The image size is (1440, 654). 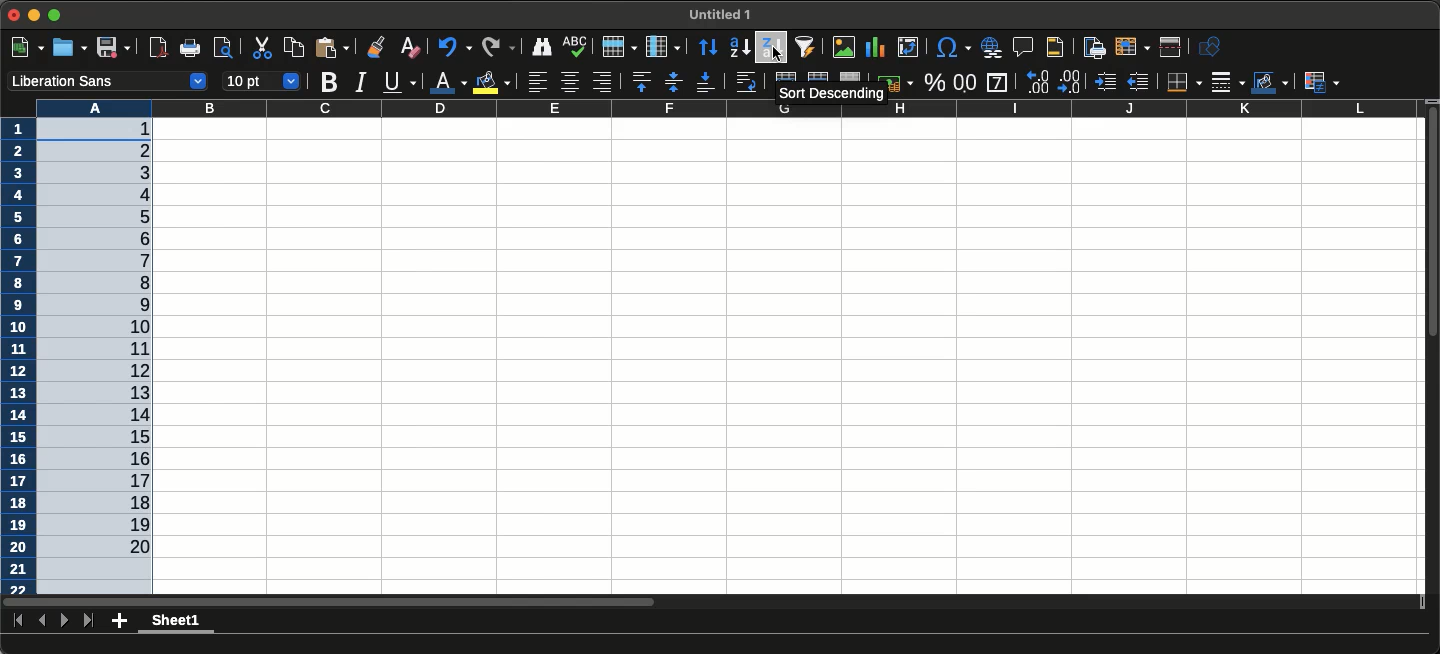 What do you see at coordinates (1023, 47) in the screenshot?
I see `Insert comment` at bounding box center [1023, 47].